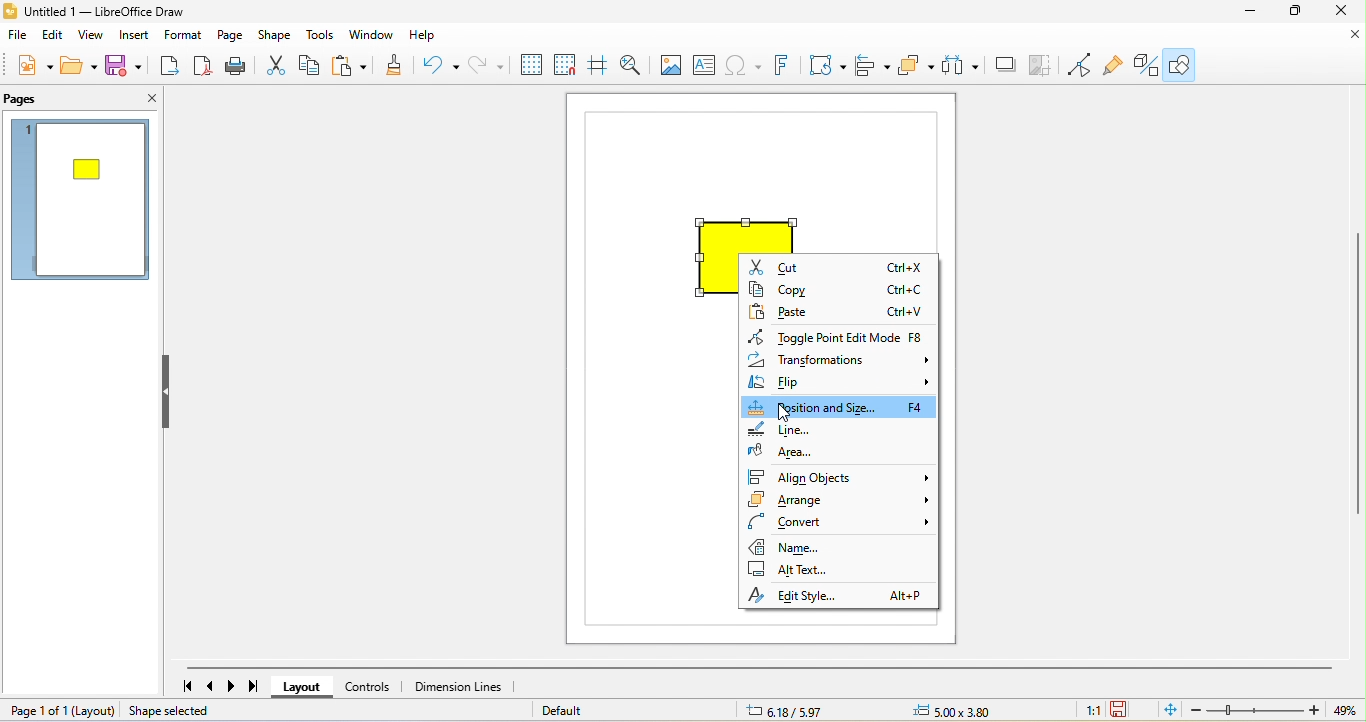 The width and height of the screenshot is (1366, 722). What do you see at coordinates (841, 503) in the screenshot?
I see `arrange` at bounding box center [841, 503].